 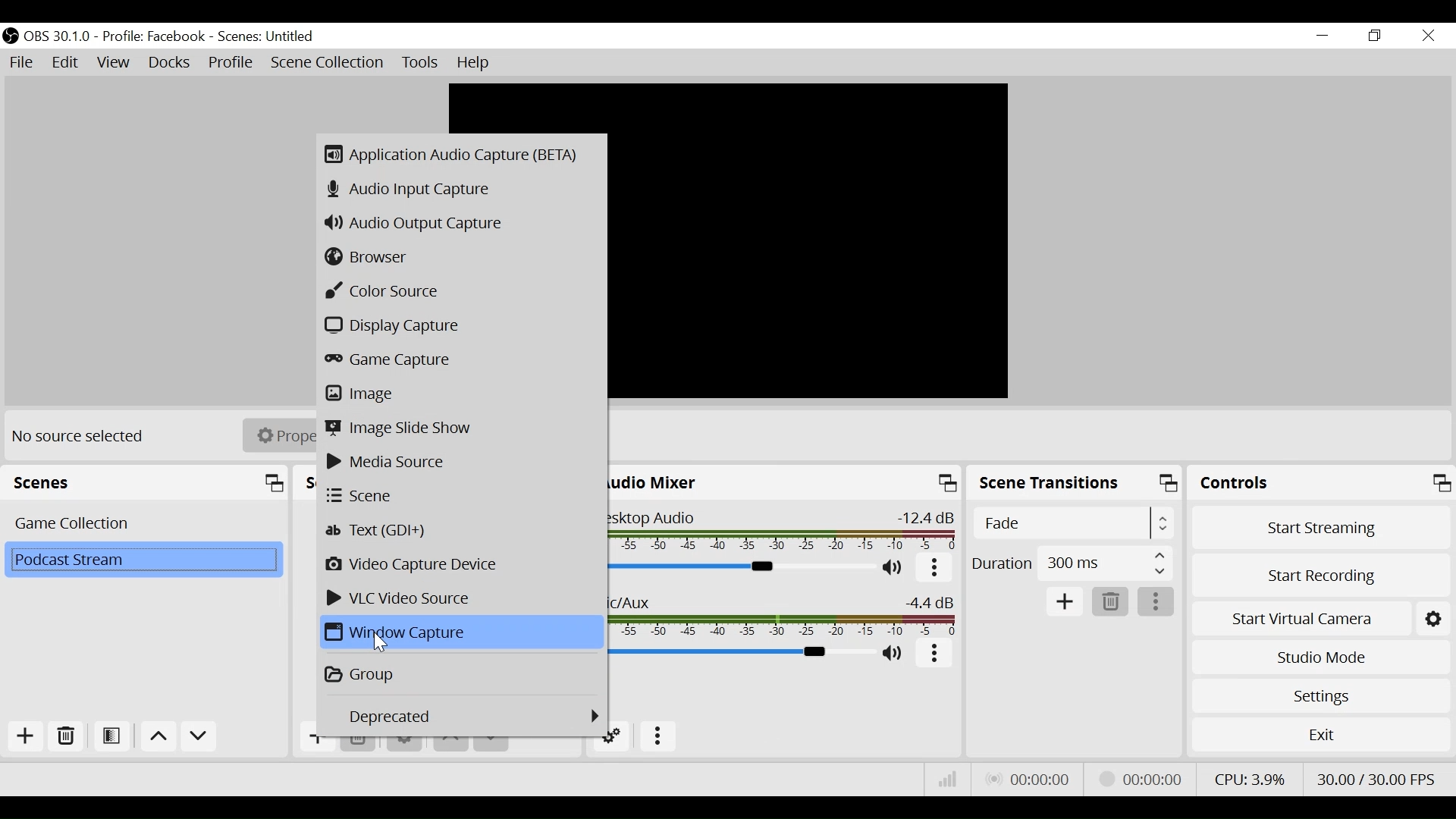 I want to click on Scene, so click(x=462, y=496).